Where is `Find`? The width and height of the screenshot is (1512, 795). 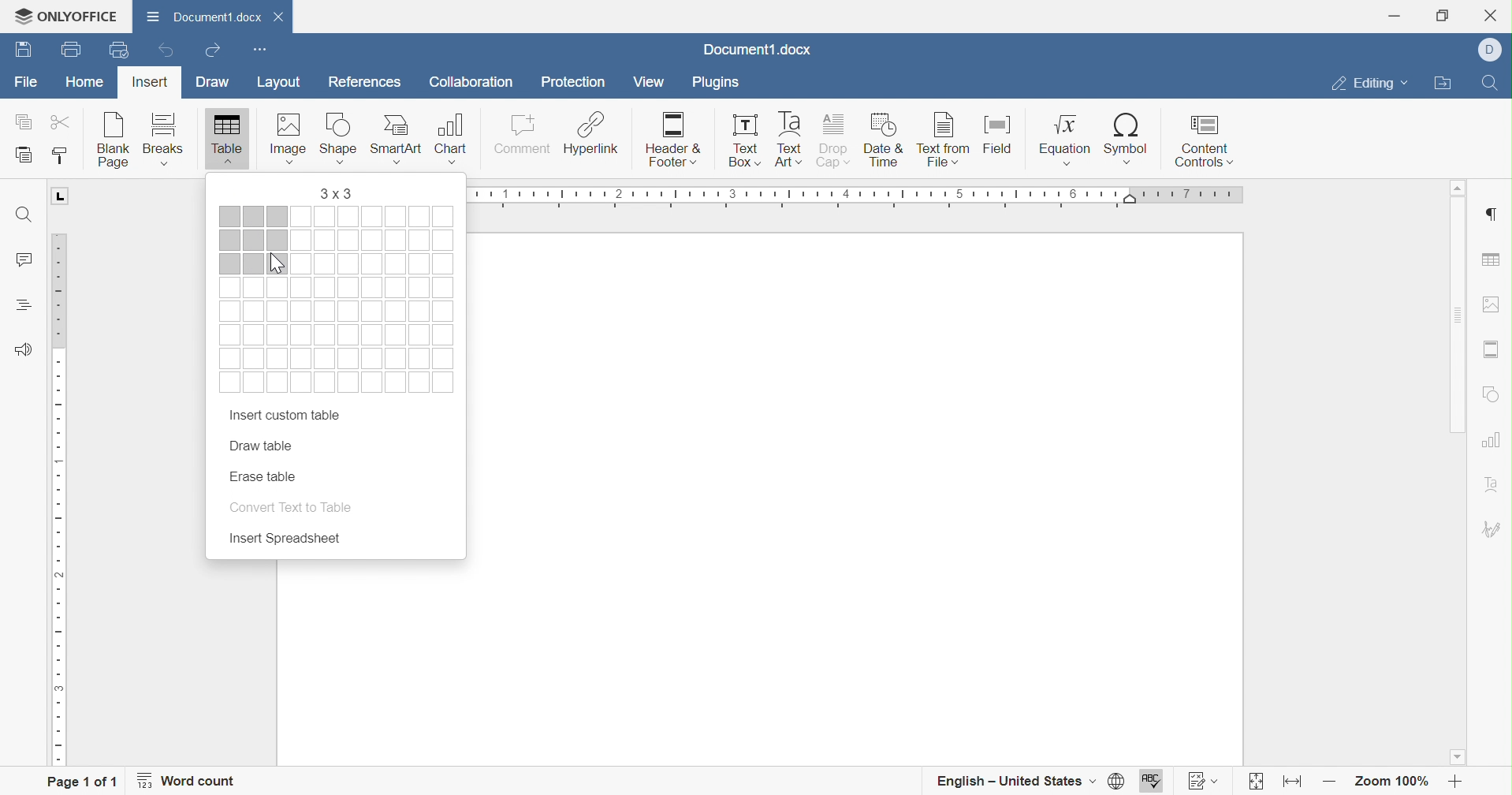
Find is located at coordinates (26, 214).